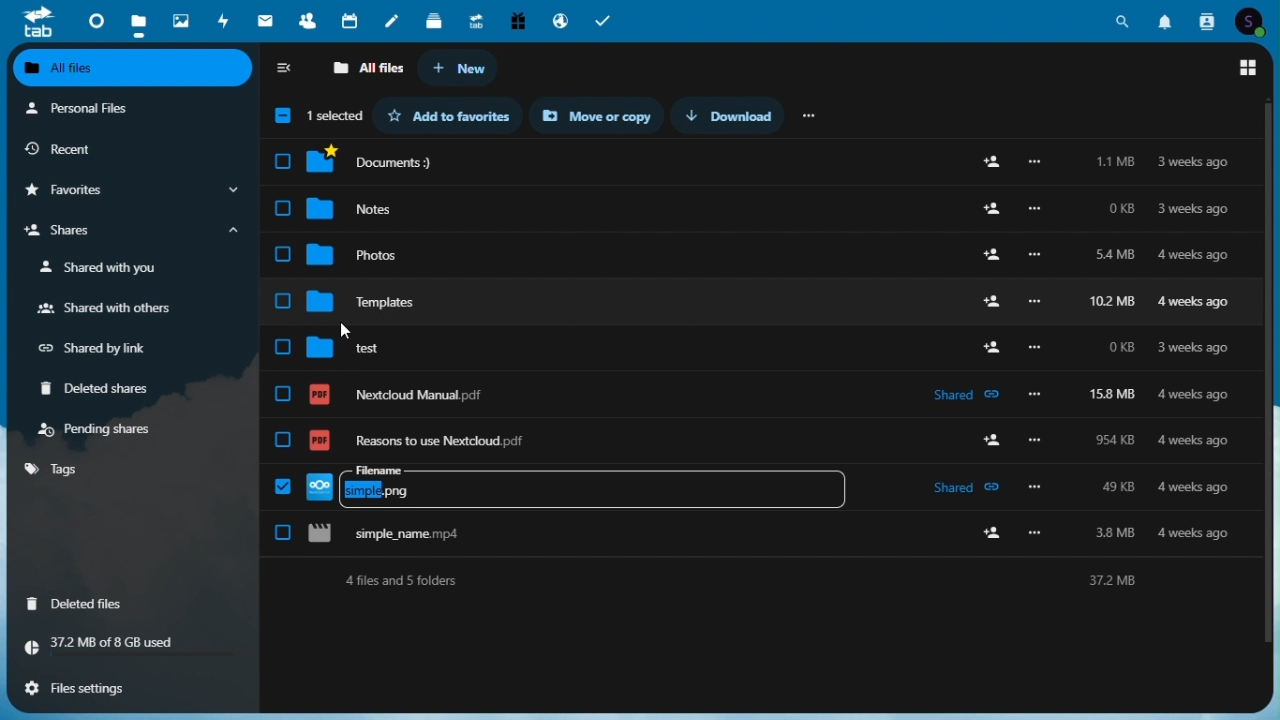 Image resolution: width=1280 pixels, height=720 pixels. I want to click on tags, so click(55, 469).